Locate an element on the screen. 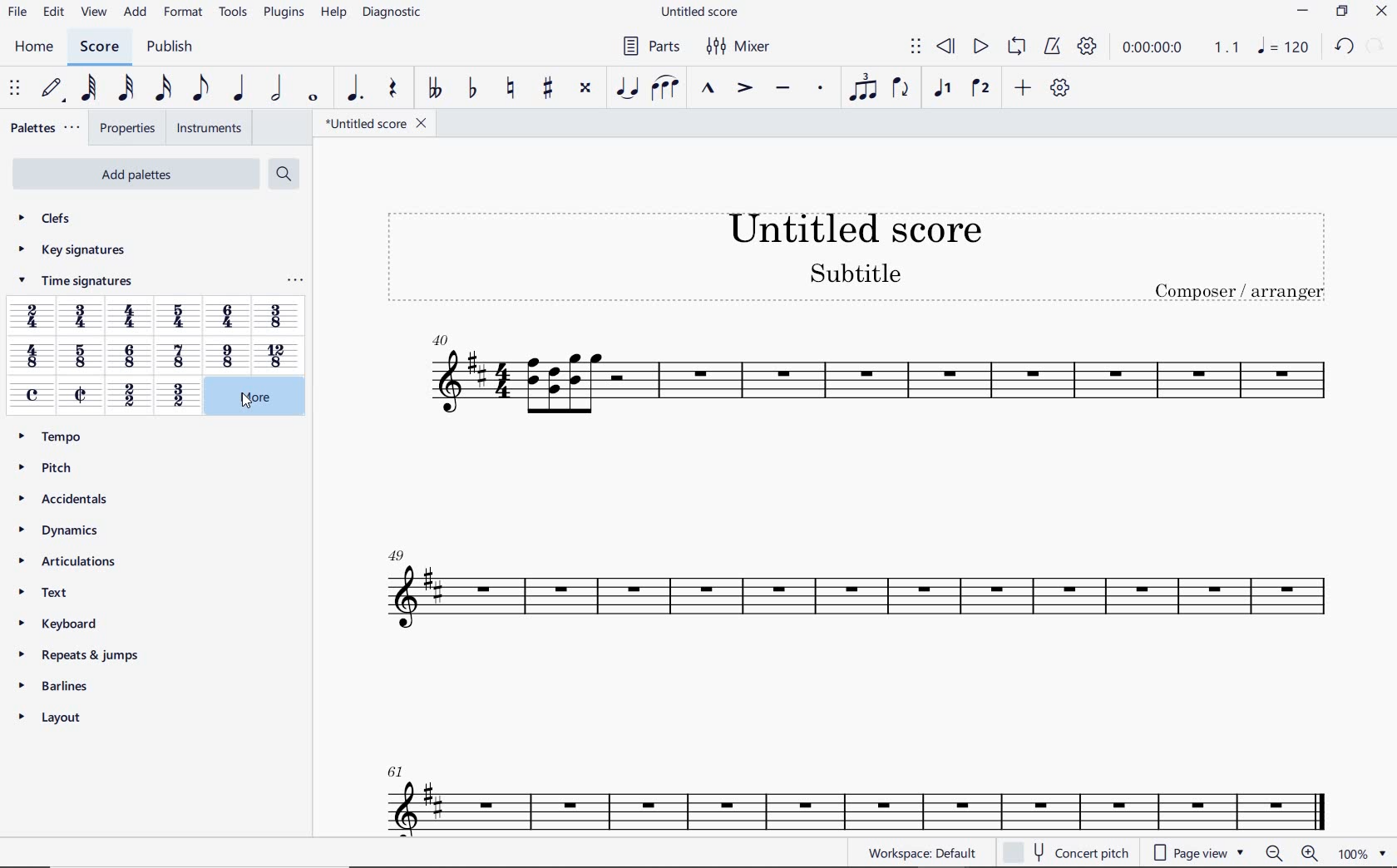  AUGMENTATION DOT is located at coordinates (353, 89).